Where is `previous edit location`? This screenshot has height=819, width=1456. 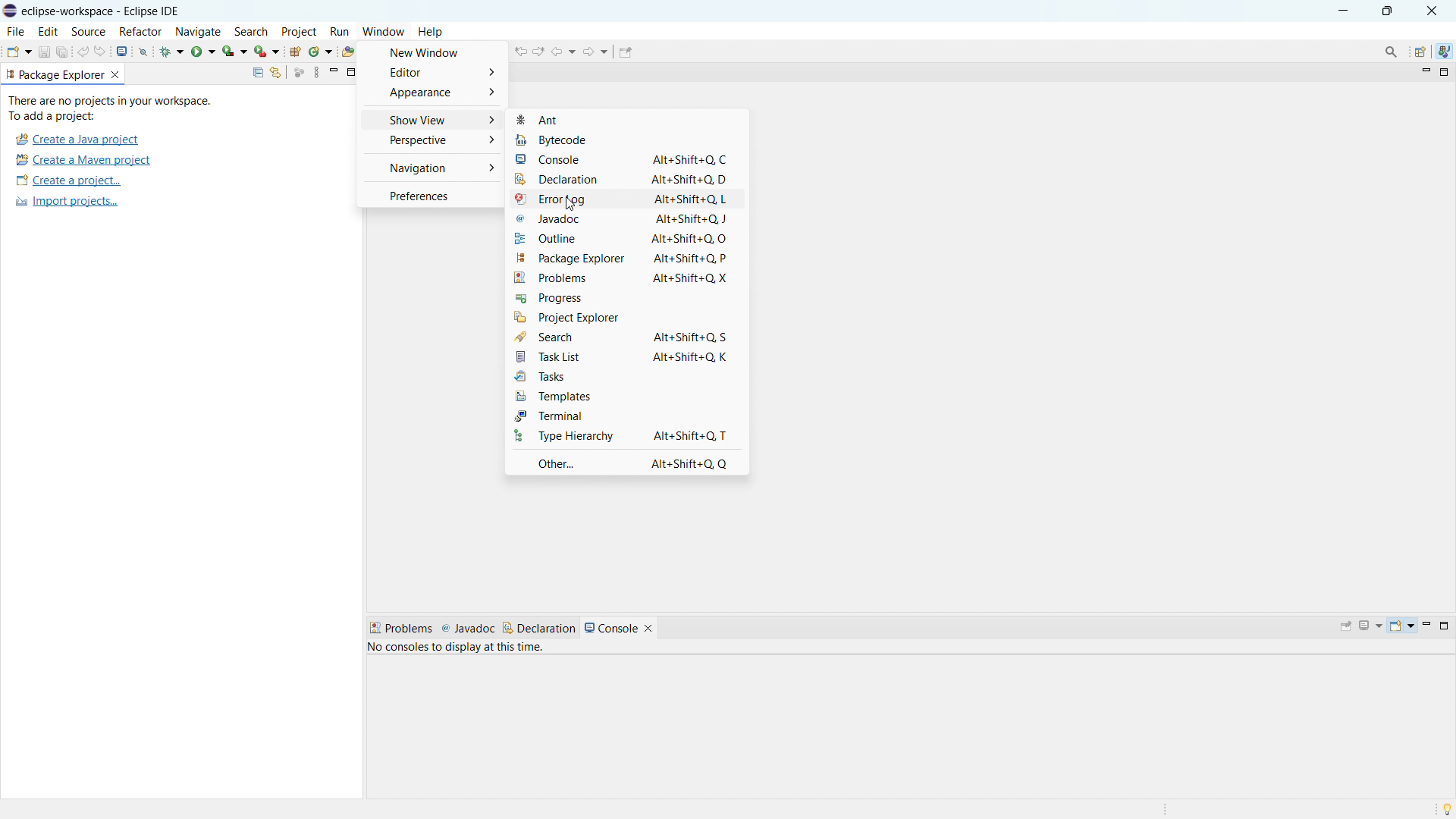
previous edit location is located at coordinates (521, 51).